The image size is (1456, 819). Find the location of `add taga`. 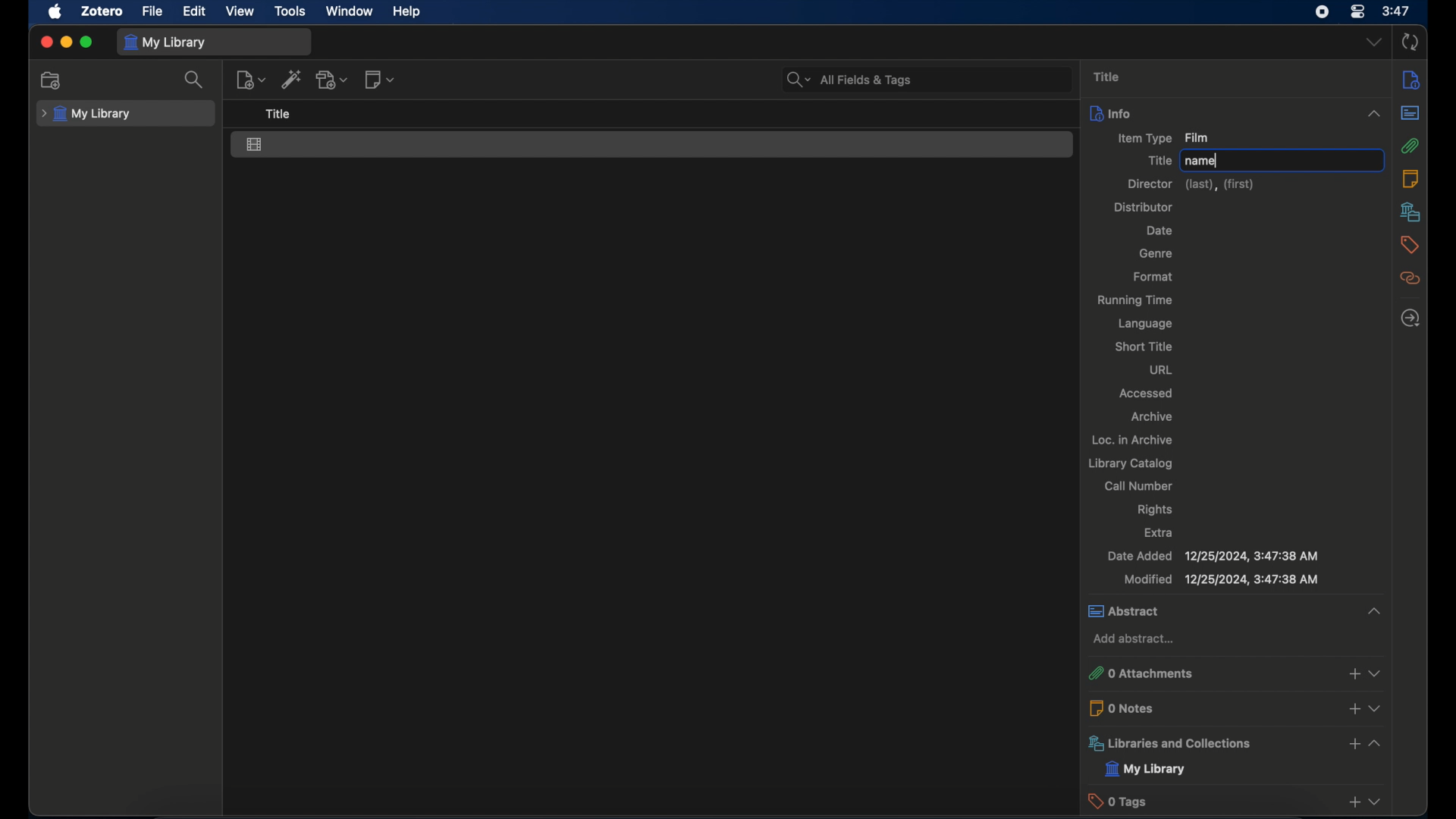

add taga is located at coordinates (1351, 801).